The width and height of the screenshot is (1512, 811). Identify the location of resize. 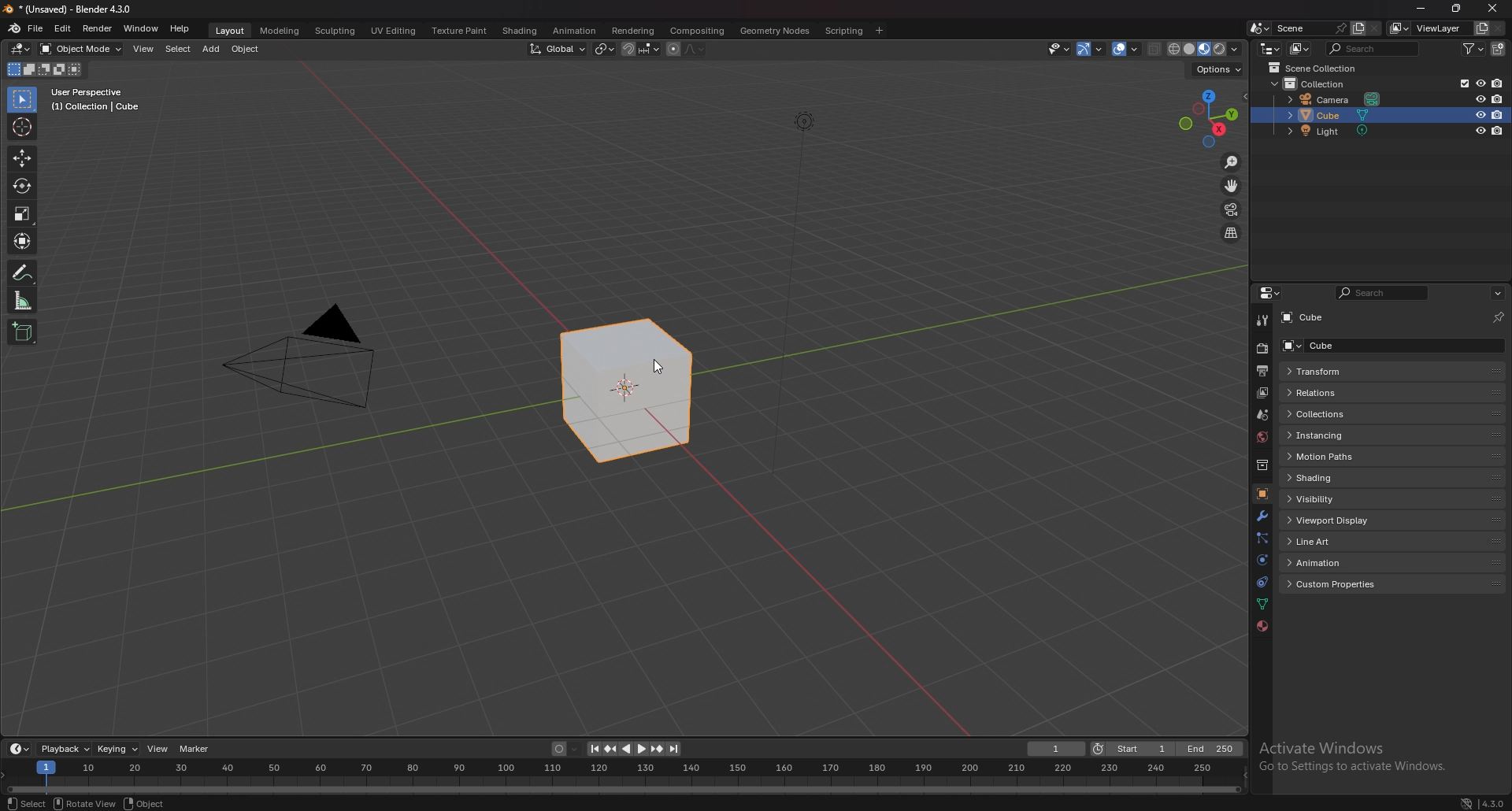
(1458, 9).